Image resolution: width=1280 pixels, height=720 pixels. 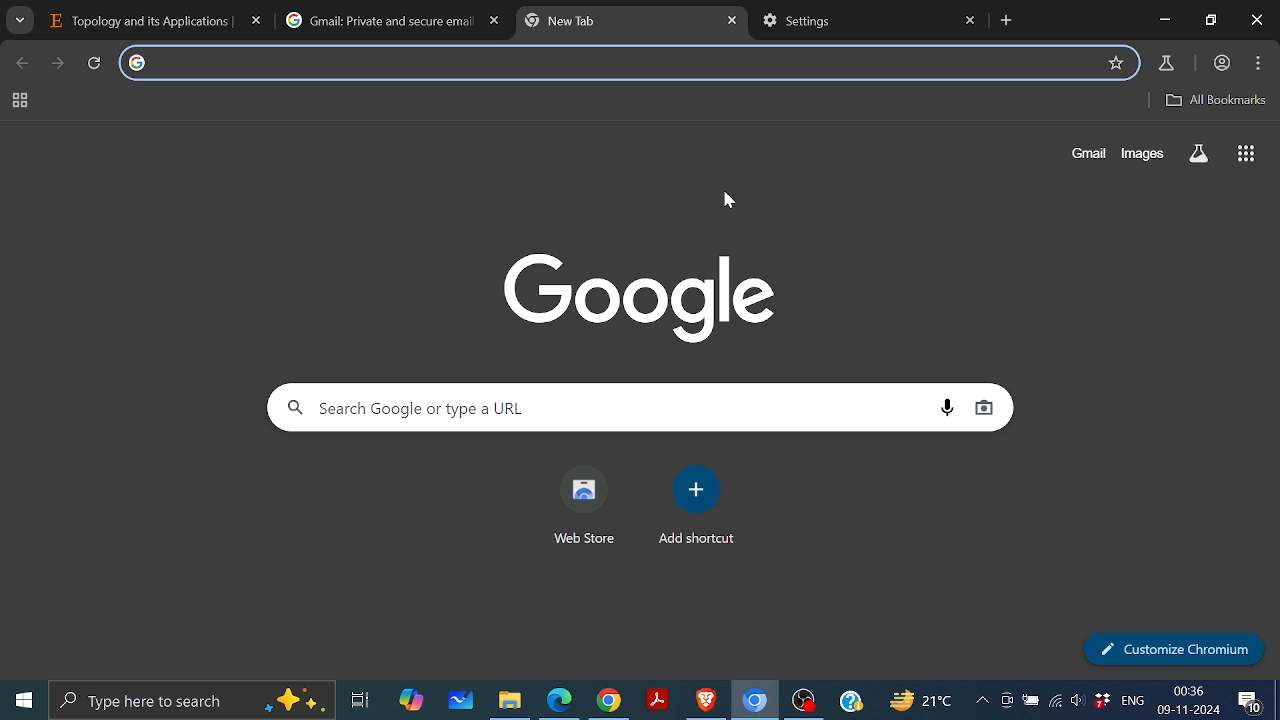 What do you see at coordinates (854, 703) in the screenshot?
I see `help` at bounding box center [854, 703].